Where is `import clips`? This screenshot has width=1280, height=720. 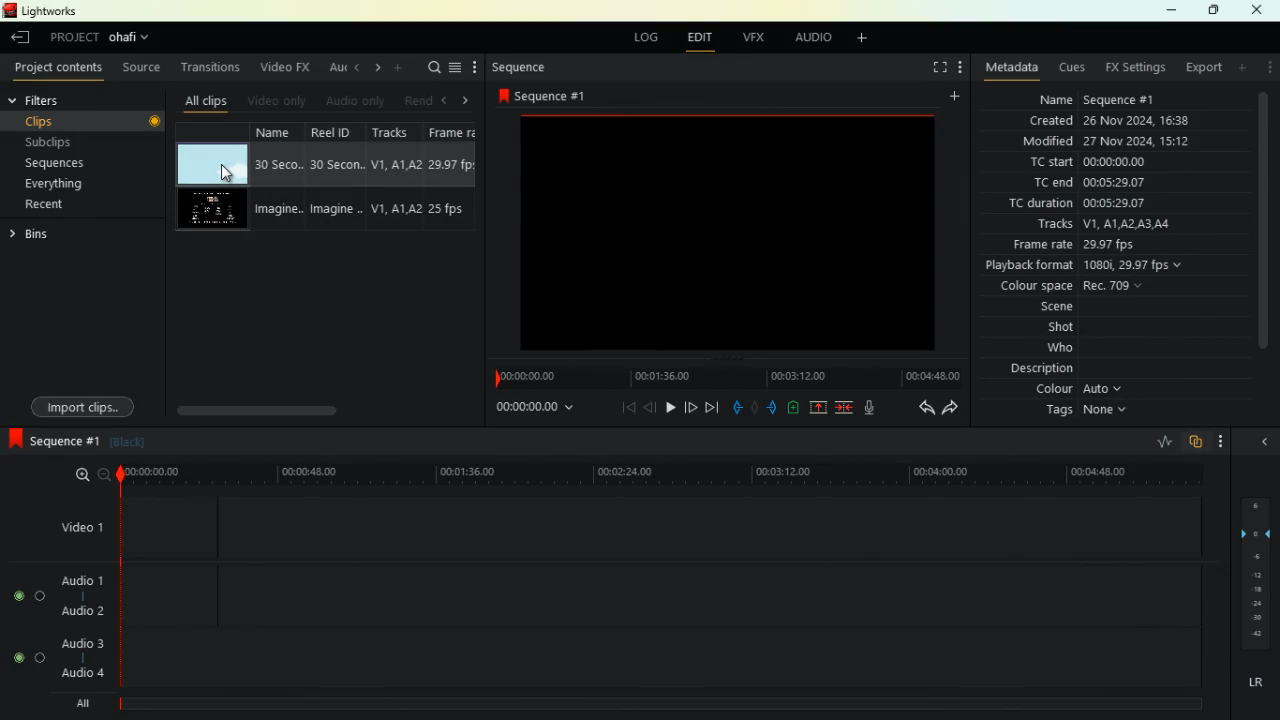
import clips is located at coordinates (81, 405).